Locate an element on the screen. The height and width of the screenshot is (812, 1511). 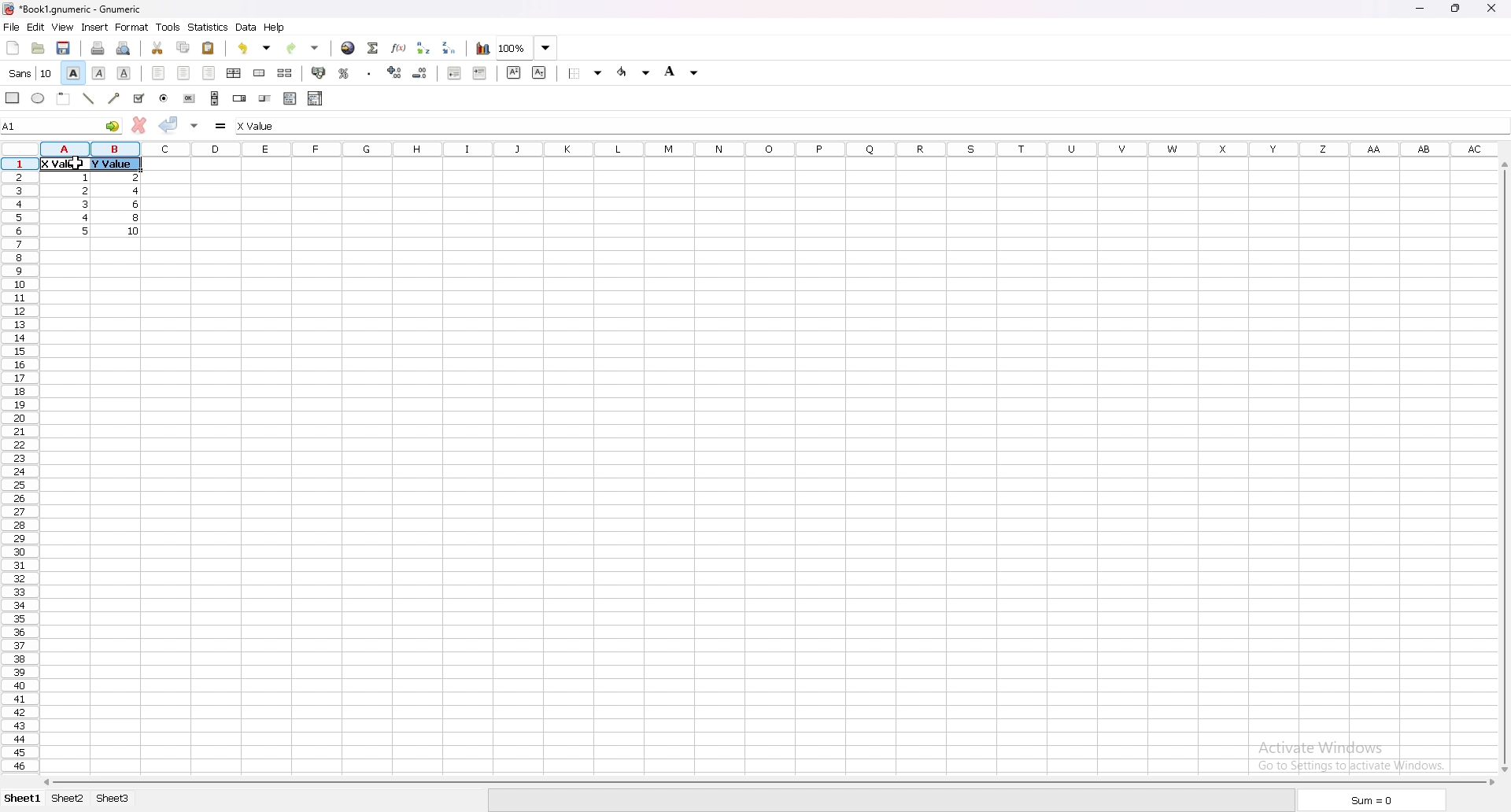
sheet 2 is located at coordinates (68, 799).